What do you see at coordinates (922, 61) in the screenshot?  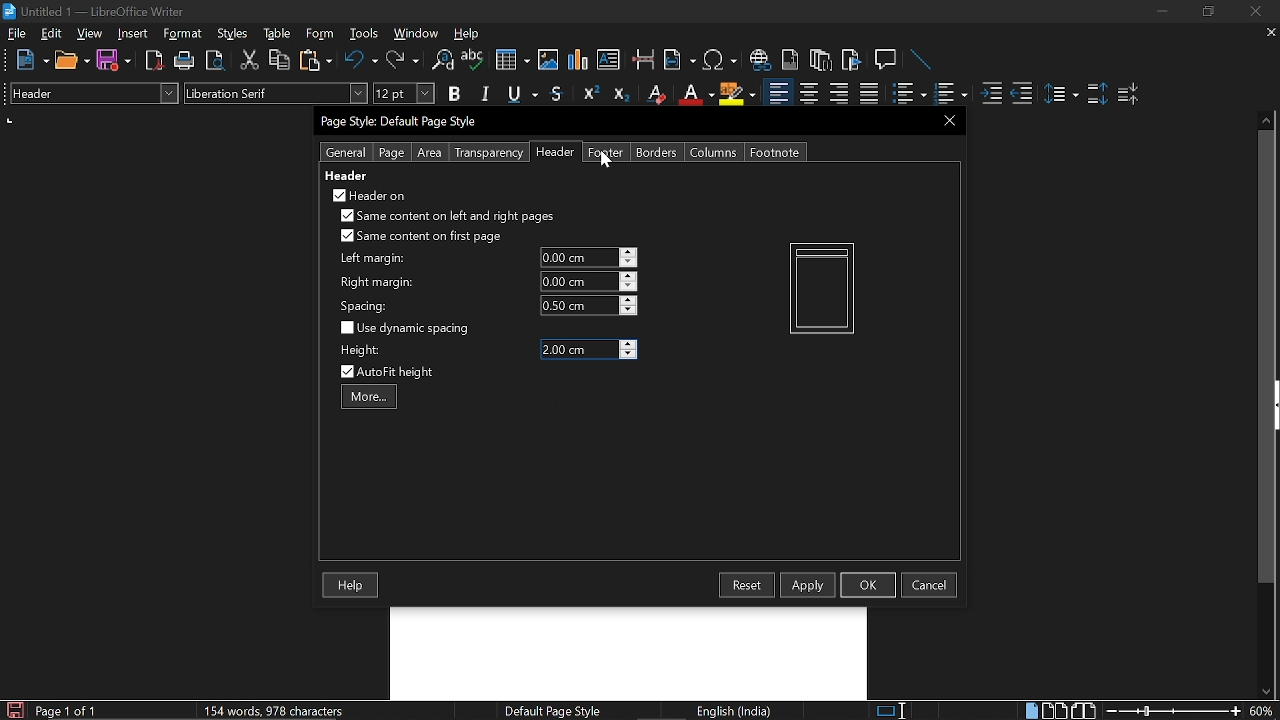 I see `Line` at bounding box center [922, 61].